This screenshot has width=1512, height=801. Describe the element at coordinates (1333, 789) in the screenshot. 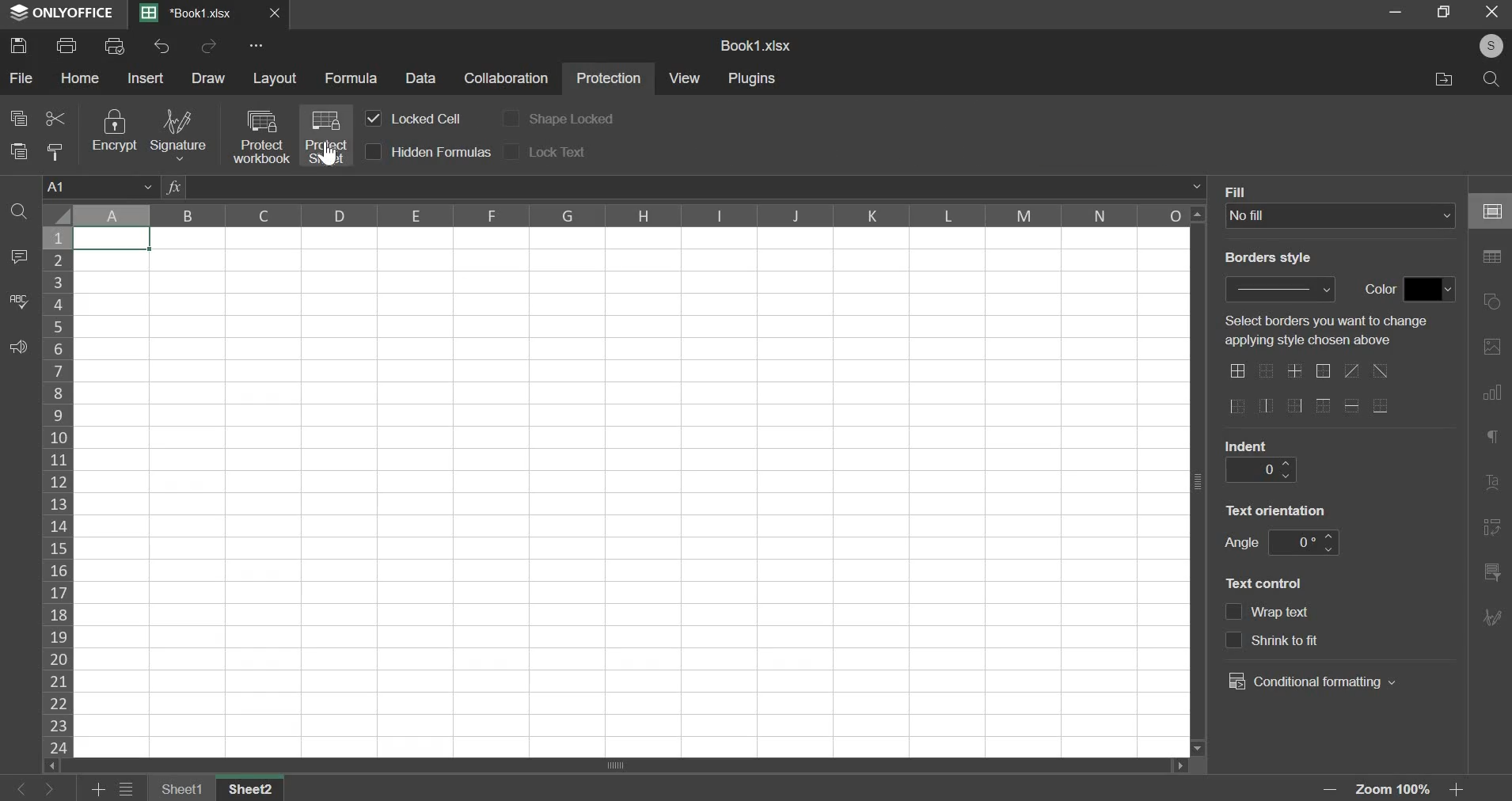

I see `zoom out` at that location.